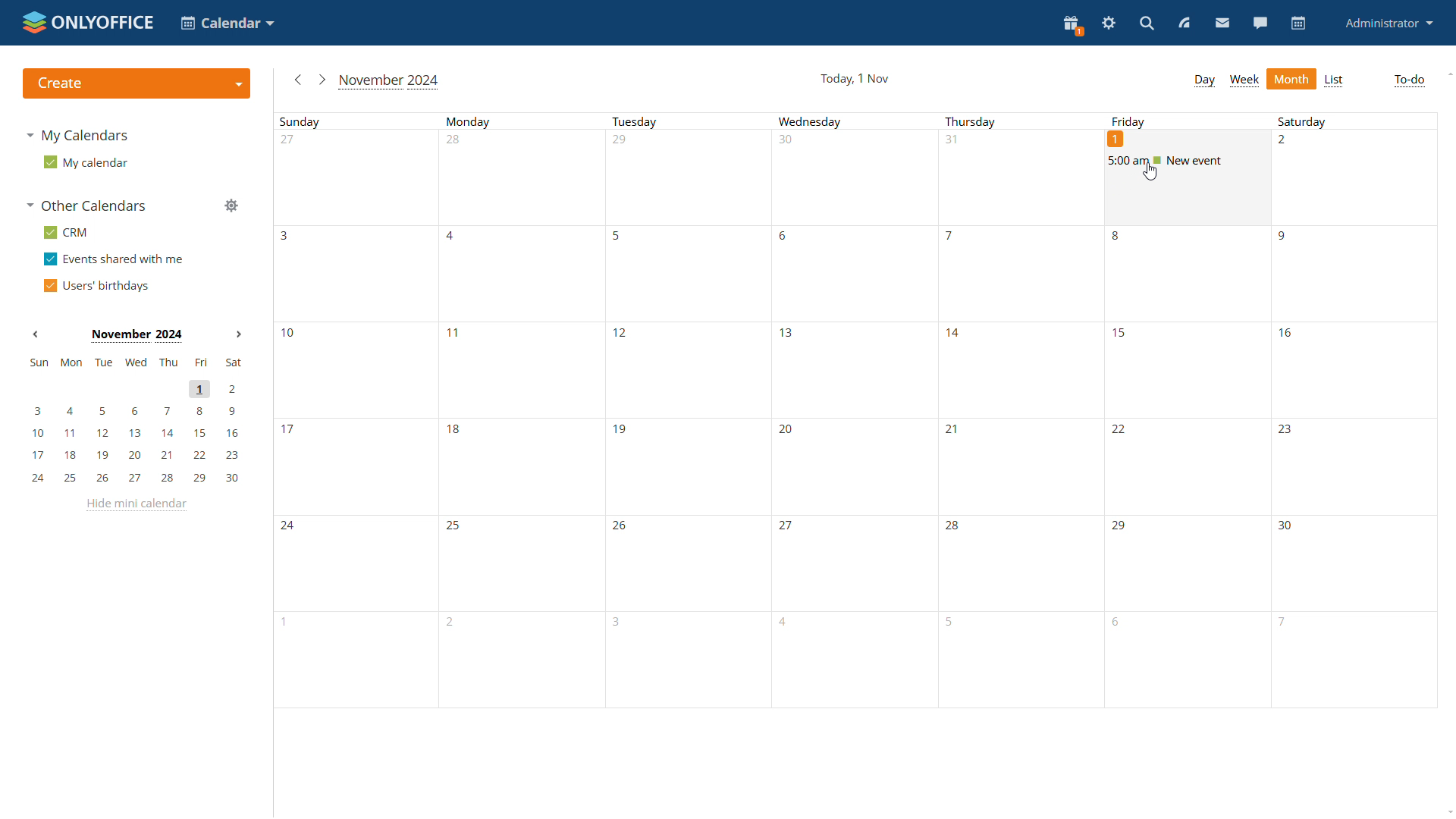 The width and height of the screenshot is (1456, 819). I want to click on users' birthdays, so click(99, 287).